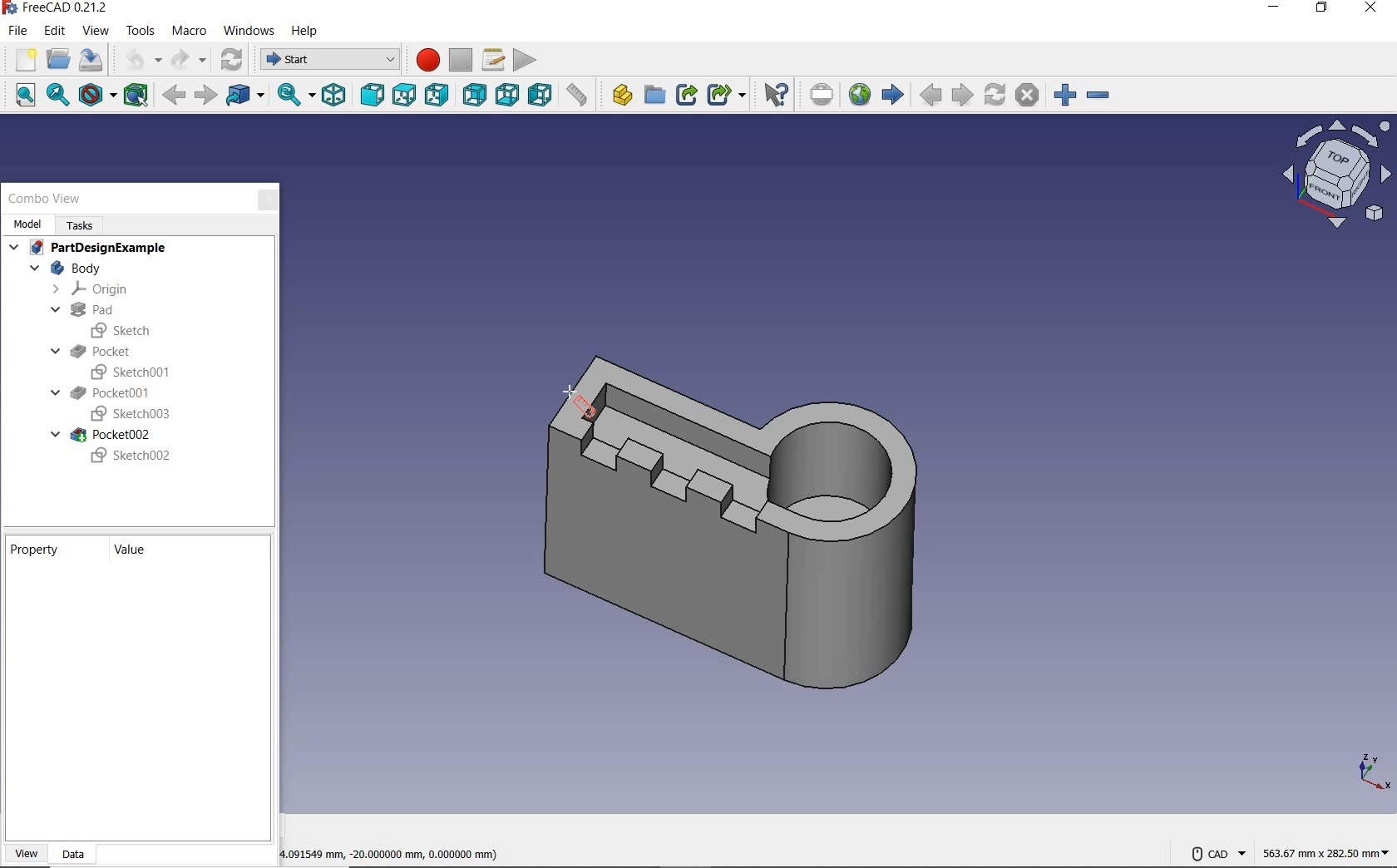  Describe the element at coordinates (1272, 9) in the screenshot. I see `minimize` at that location.